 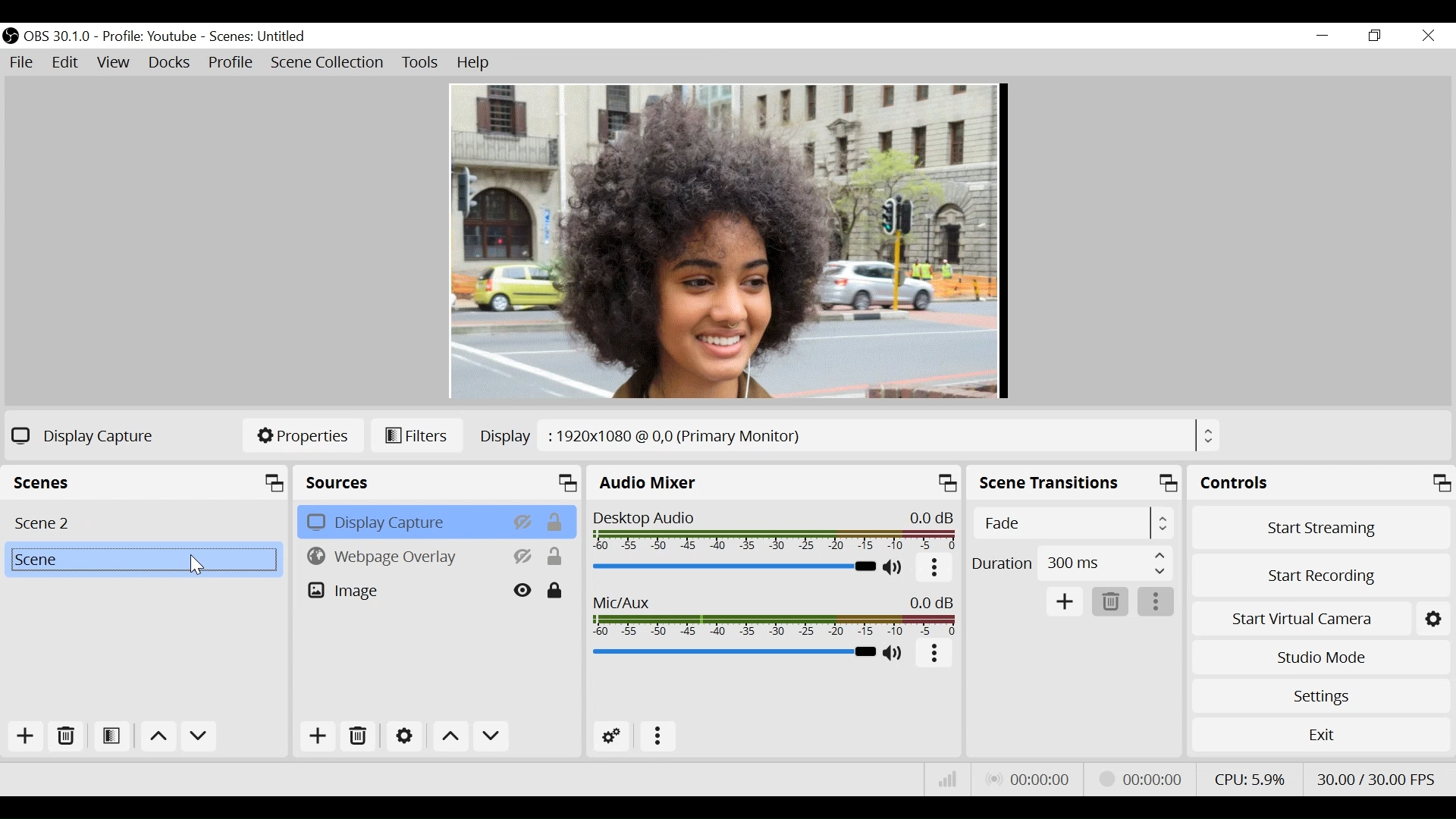 I want to click on Properties, so click(x=302, y=436).